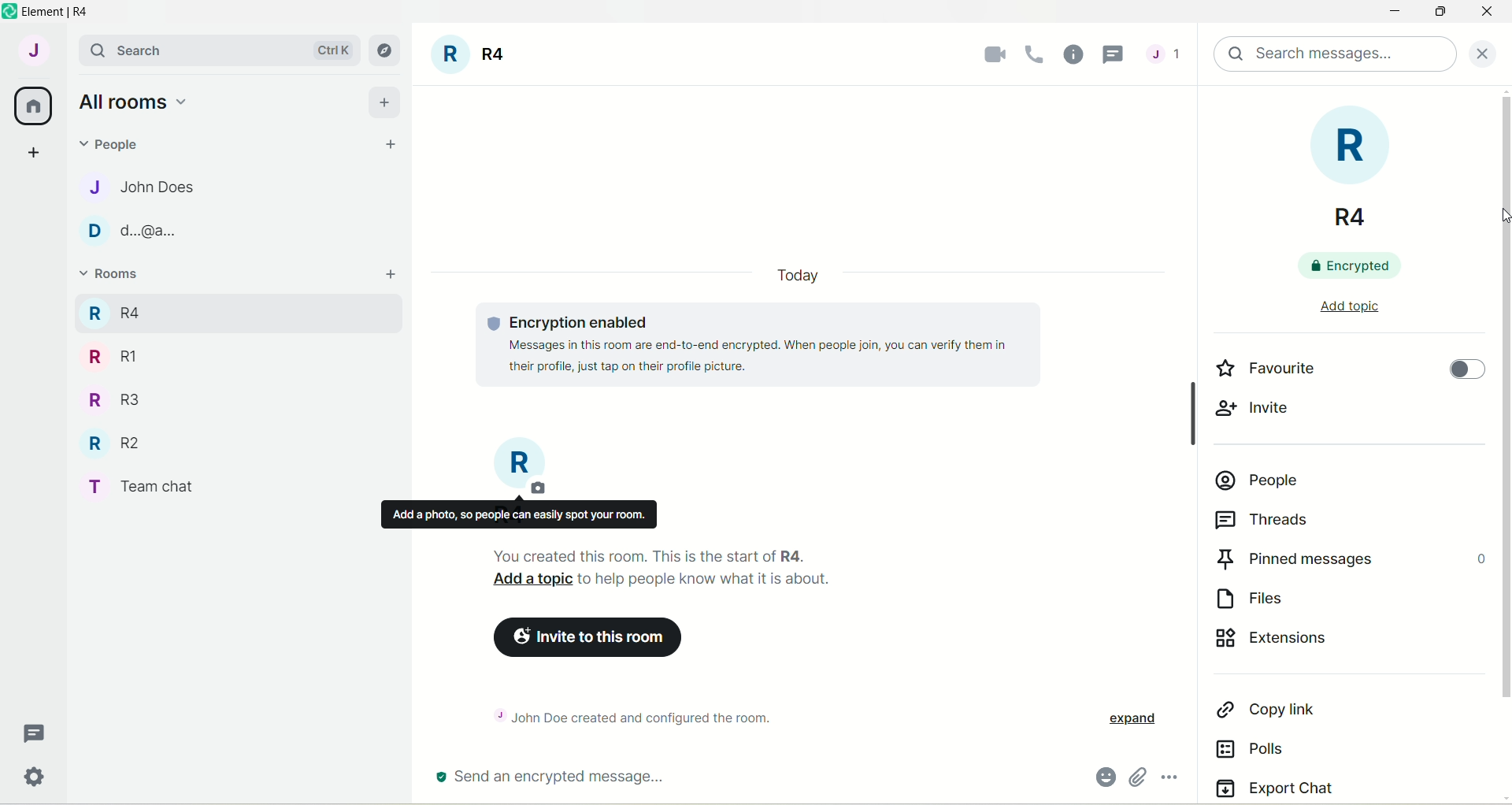 The height and width of the screenshot is (805, 1512). What do you see at coordinates (649, 715) in the screenshot?
I see `~ John Doe created and configured the room.` at bounding box center [649, 715].